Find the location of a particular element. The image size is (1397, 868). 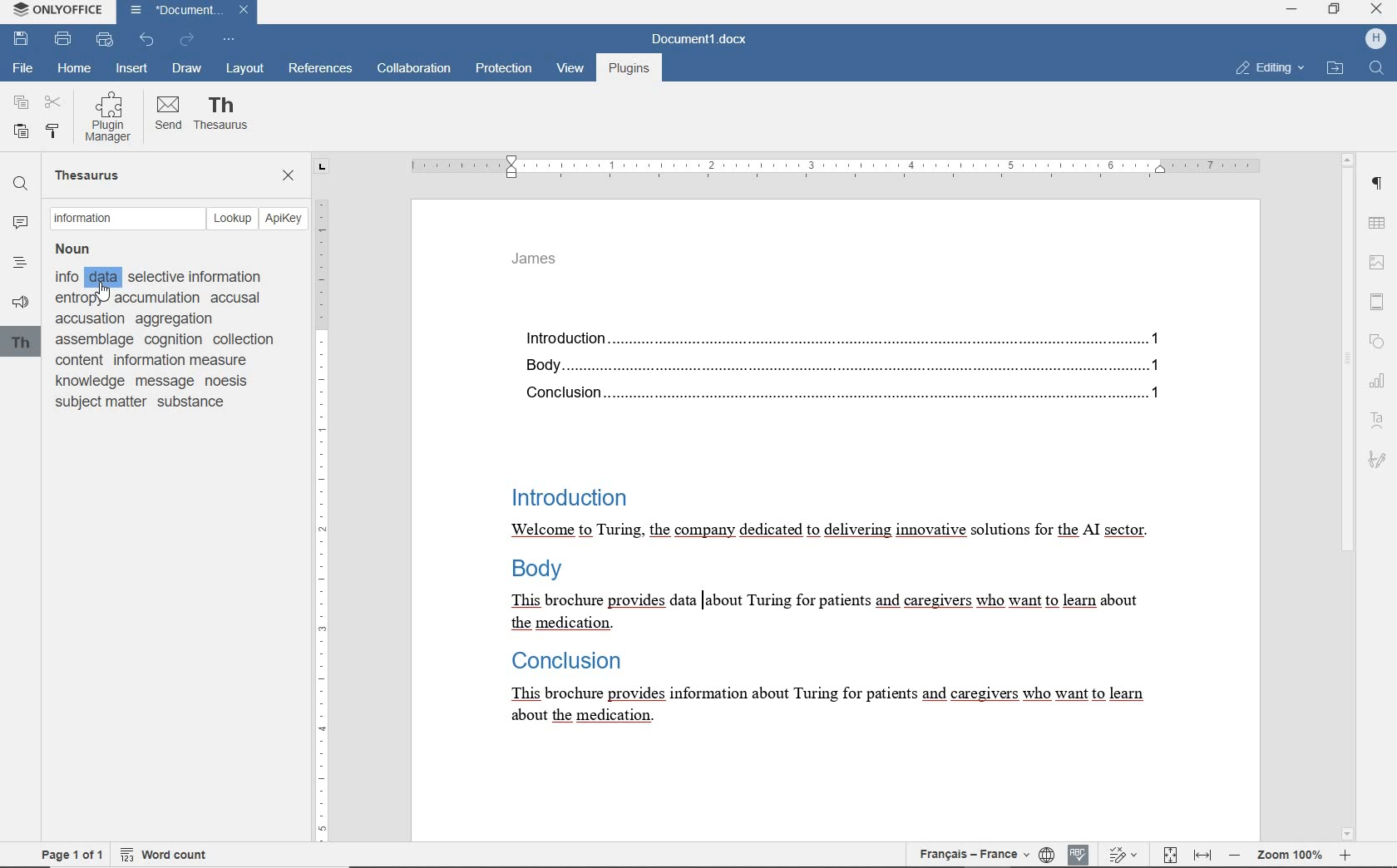

FIND is located at coordinates (1377, 70).